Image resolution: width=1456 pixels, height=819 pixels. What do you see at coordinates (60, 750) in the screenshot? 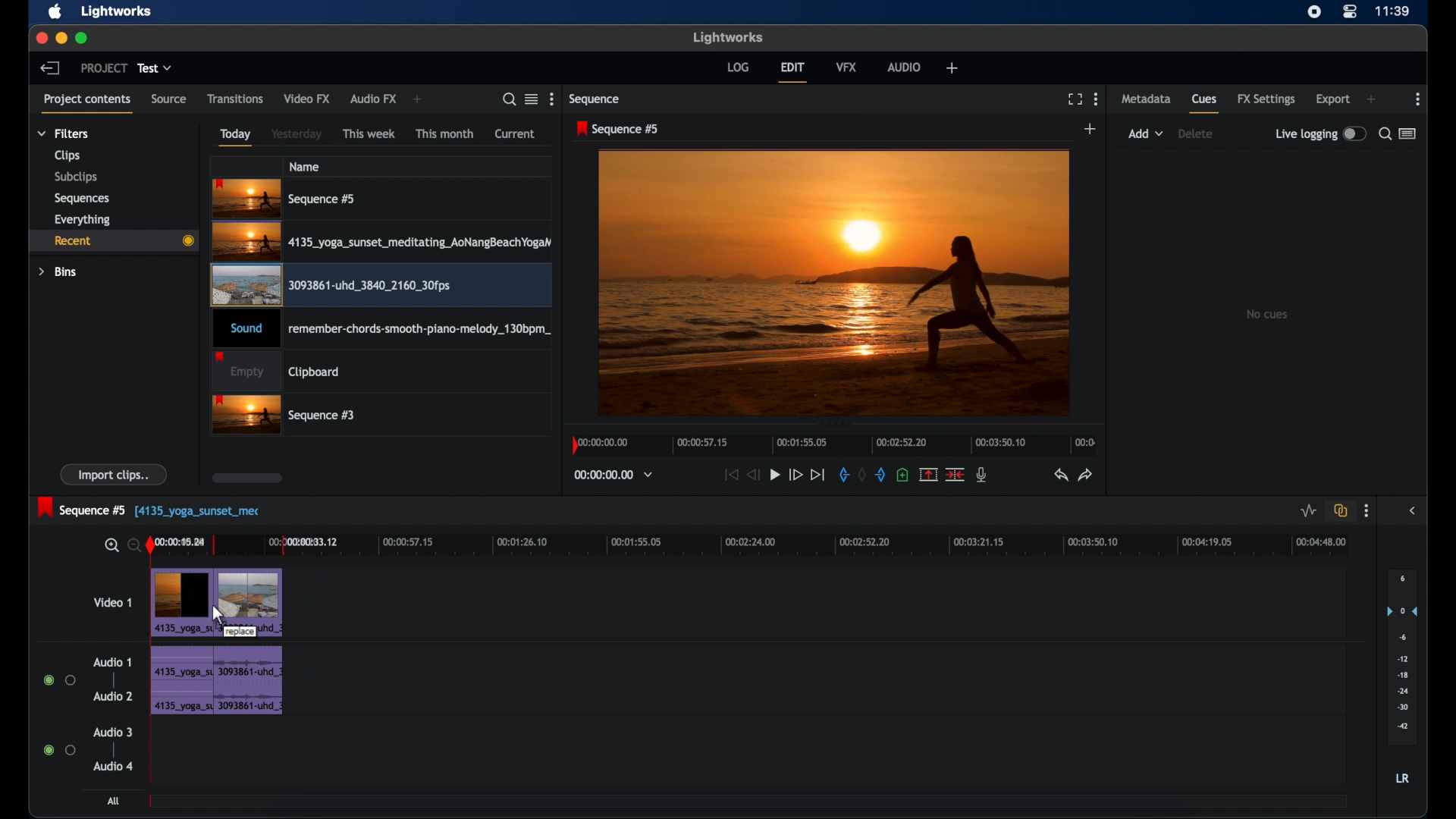
I see `radio  buttons` at bounding box center [60, 750].